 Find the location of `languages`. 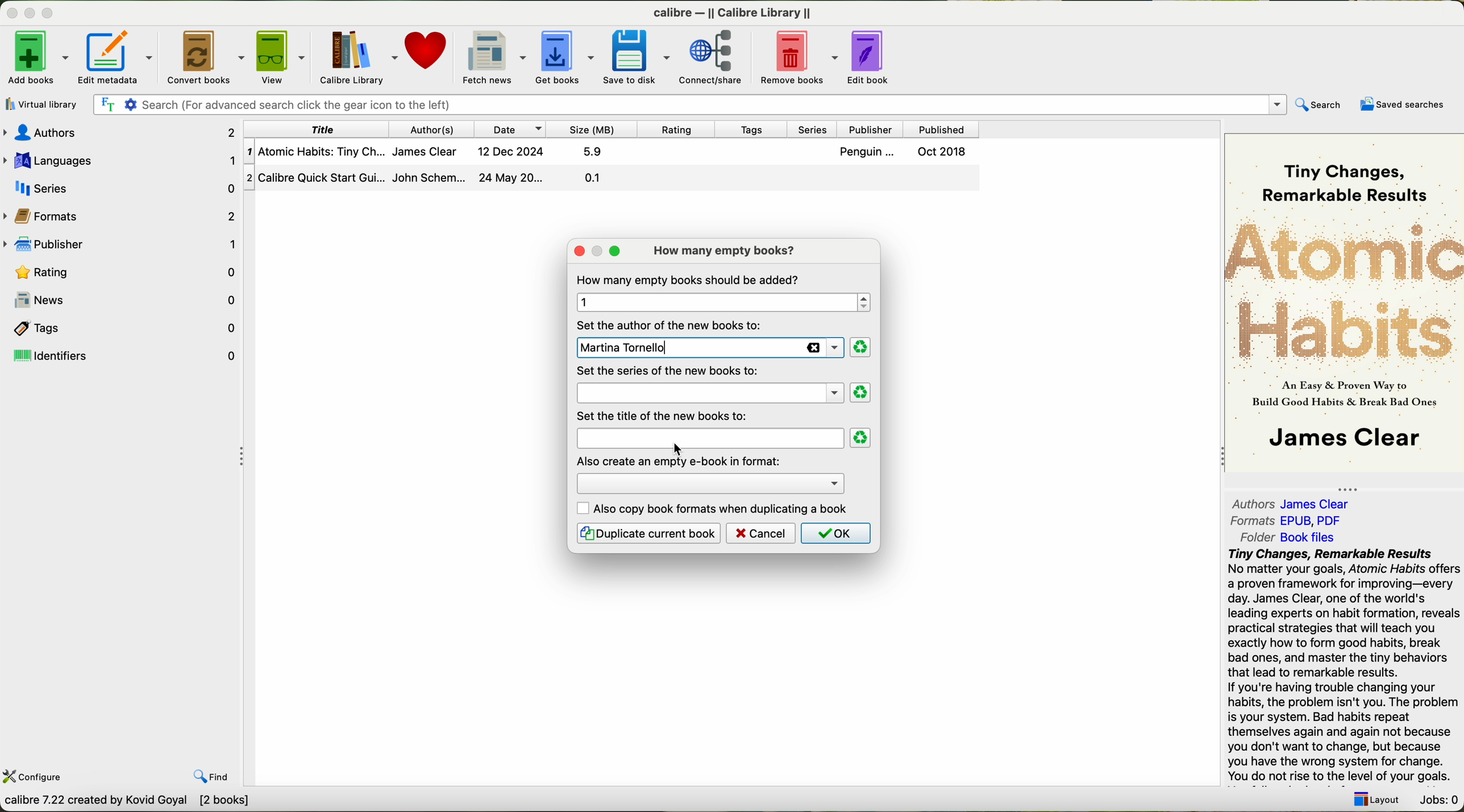

languages is located at coordinates (121, 159).